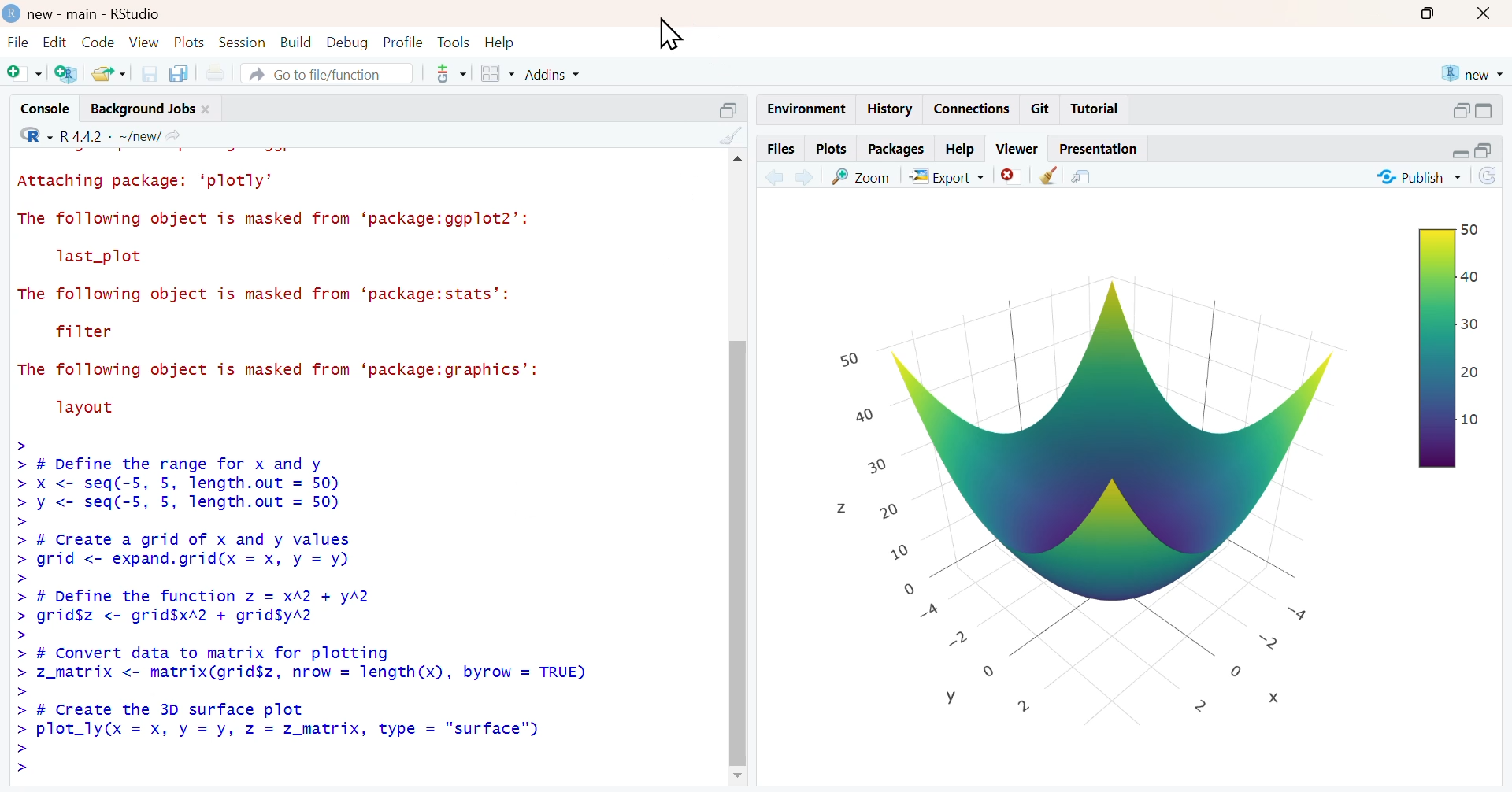 Image resolution: width=1512 pixels, height=792 pixels. Describe the element at coordinates (283, 218) in the screenshot. I see `The following object is masked from ‘package:ggplot2’:` at that location.